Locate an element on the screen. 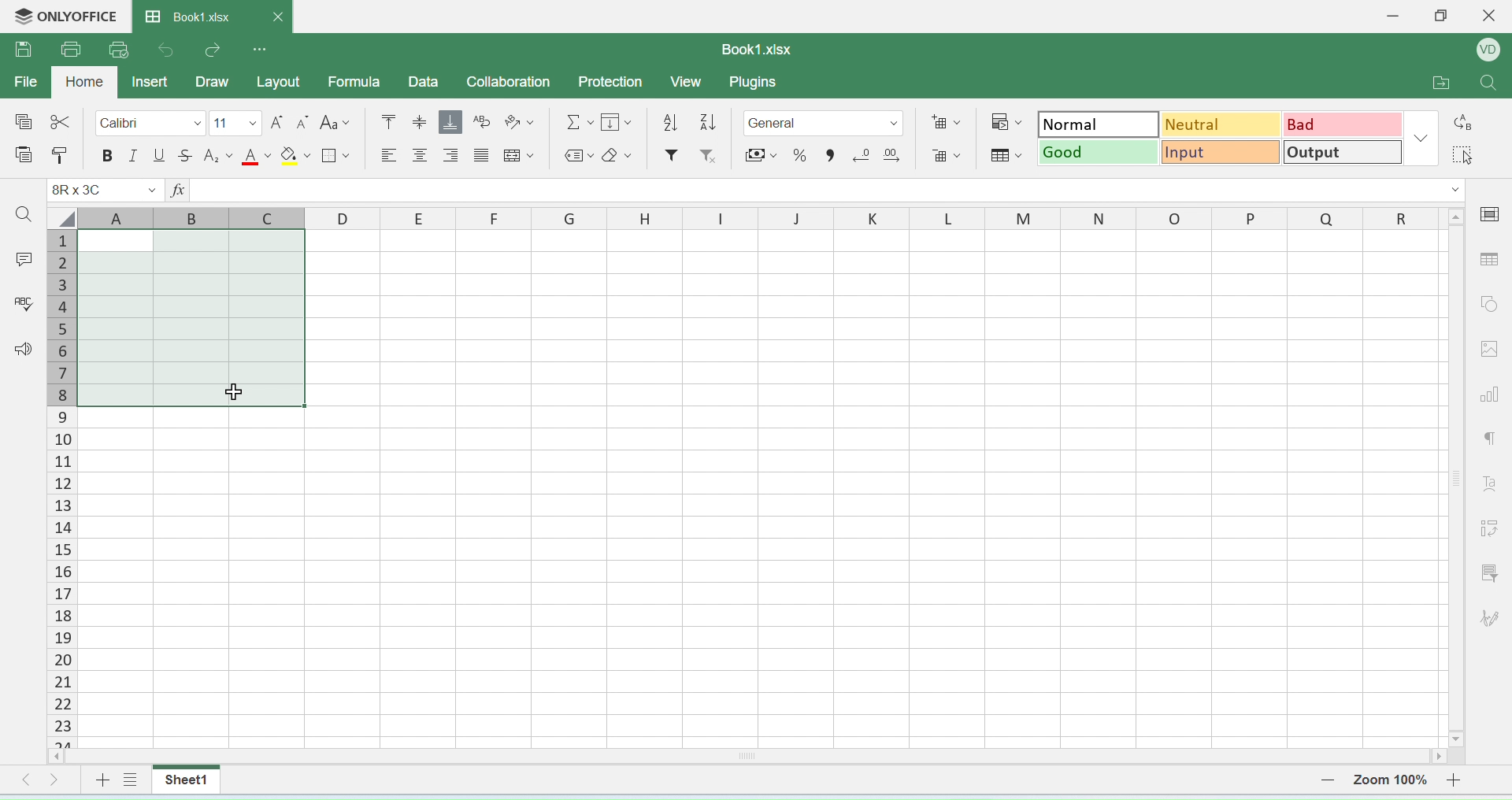 The width and height of the screenshot is (1512, 800). format as table template is located at coordinates (1003, 153).